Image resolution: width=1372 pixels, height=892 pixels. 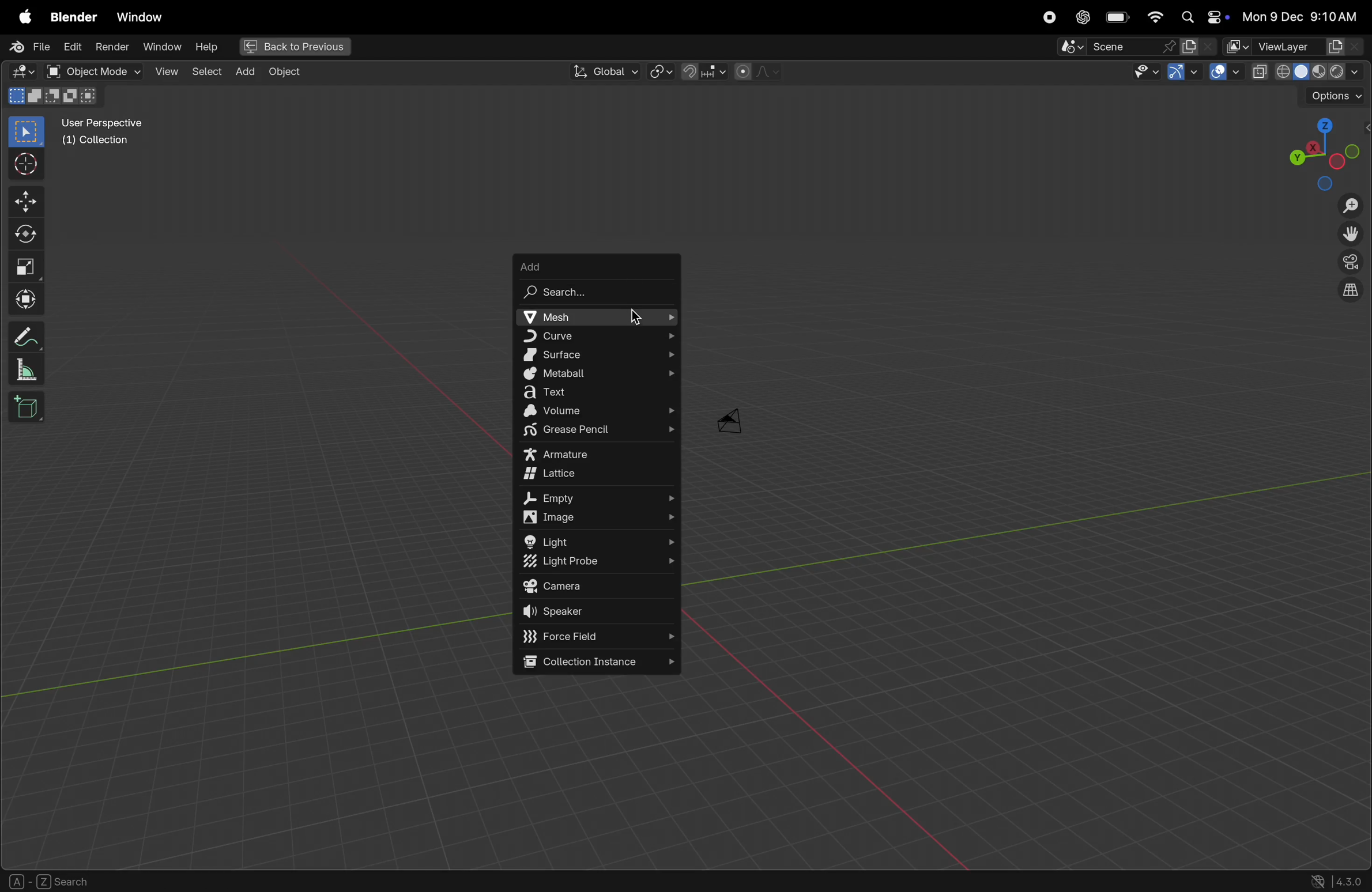 I want to click on ransformpviot point, so click(x=661, y=71).